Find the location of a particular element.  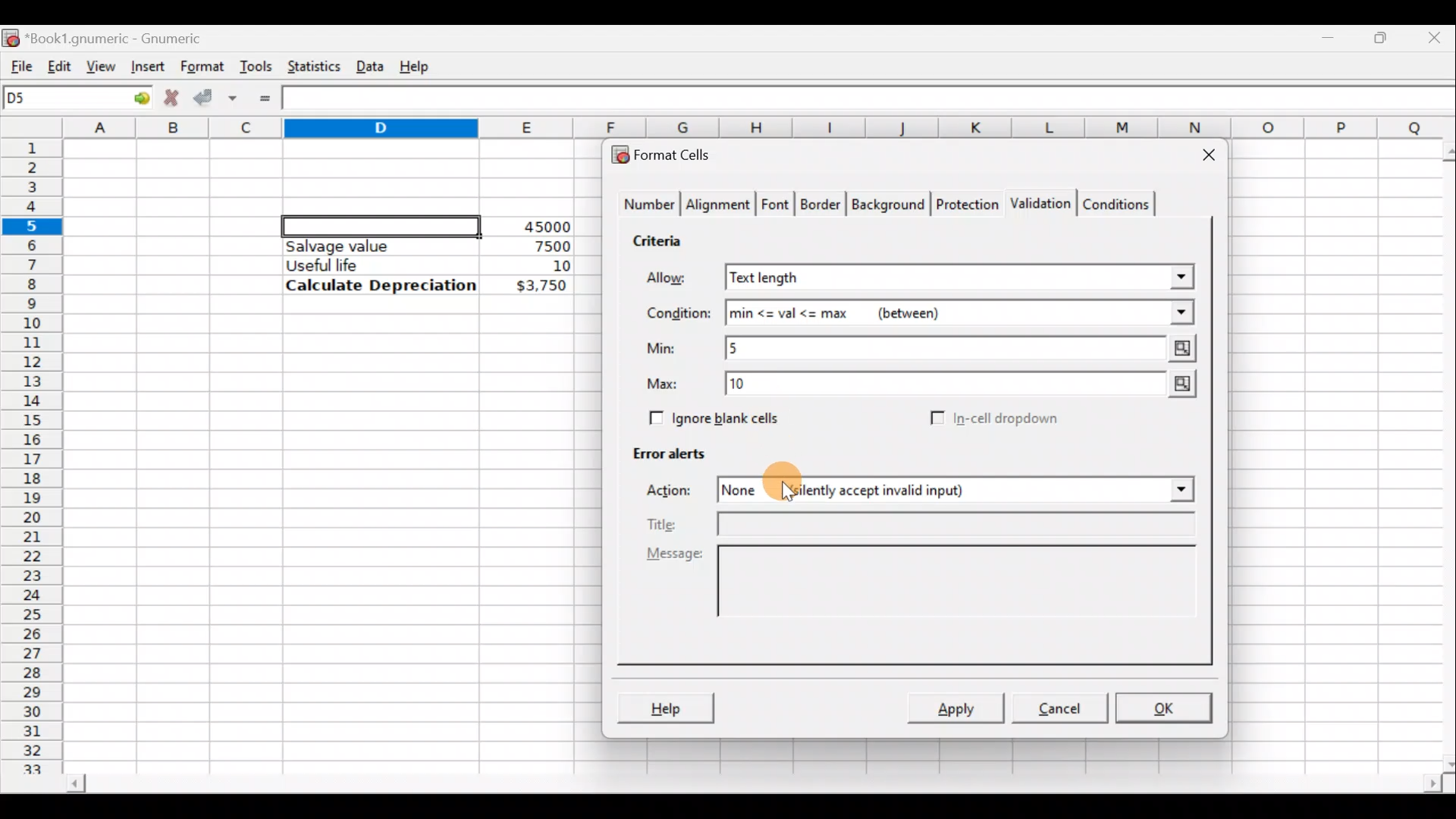

Min is located at coordinates (664, 348).